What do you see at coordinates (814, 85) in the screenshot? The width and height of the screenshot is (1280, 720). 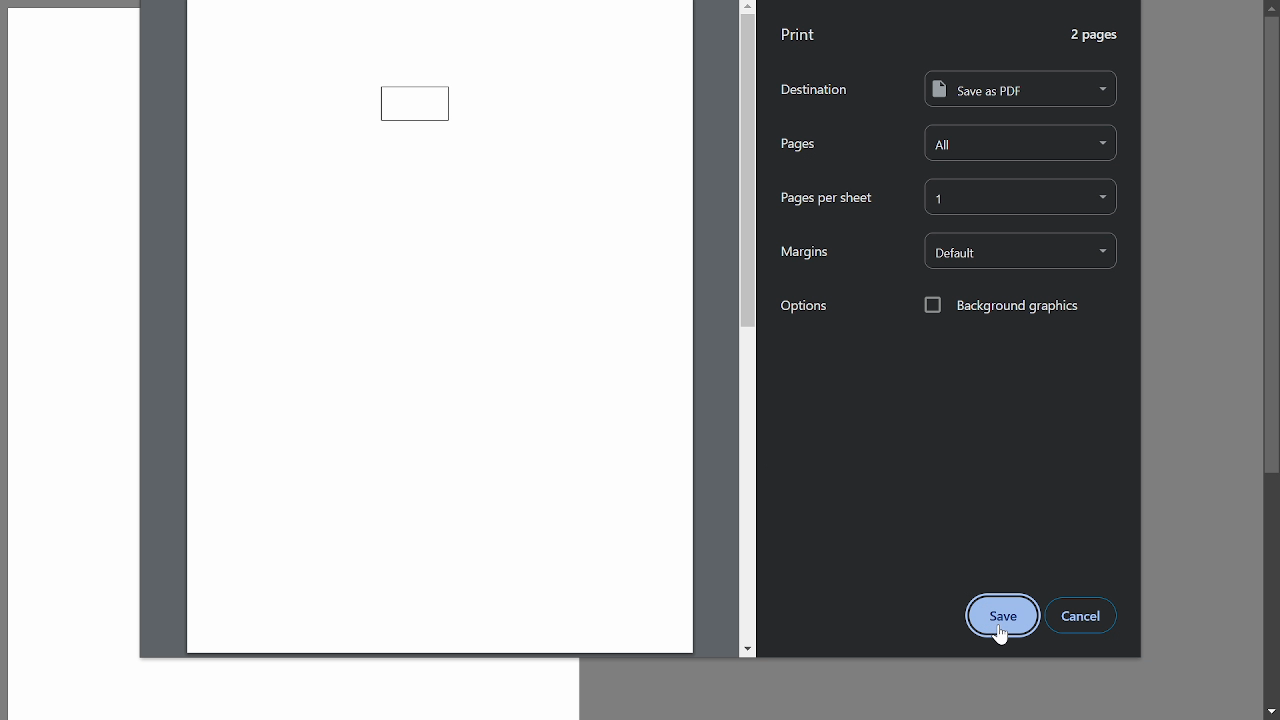 I see `destination` at bounding box center [814, 85].